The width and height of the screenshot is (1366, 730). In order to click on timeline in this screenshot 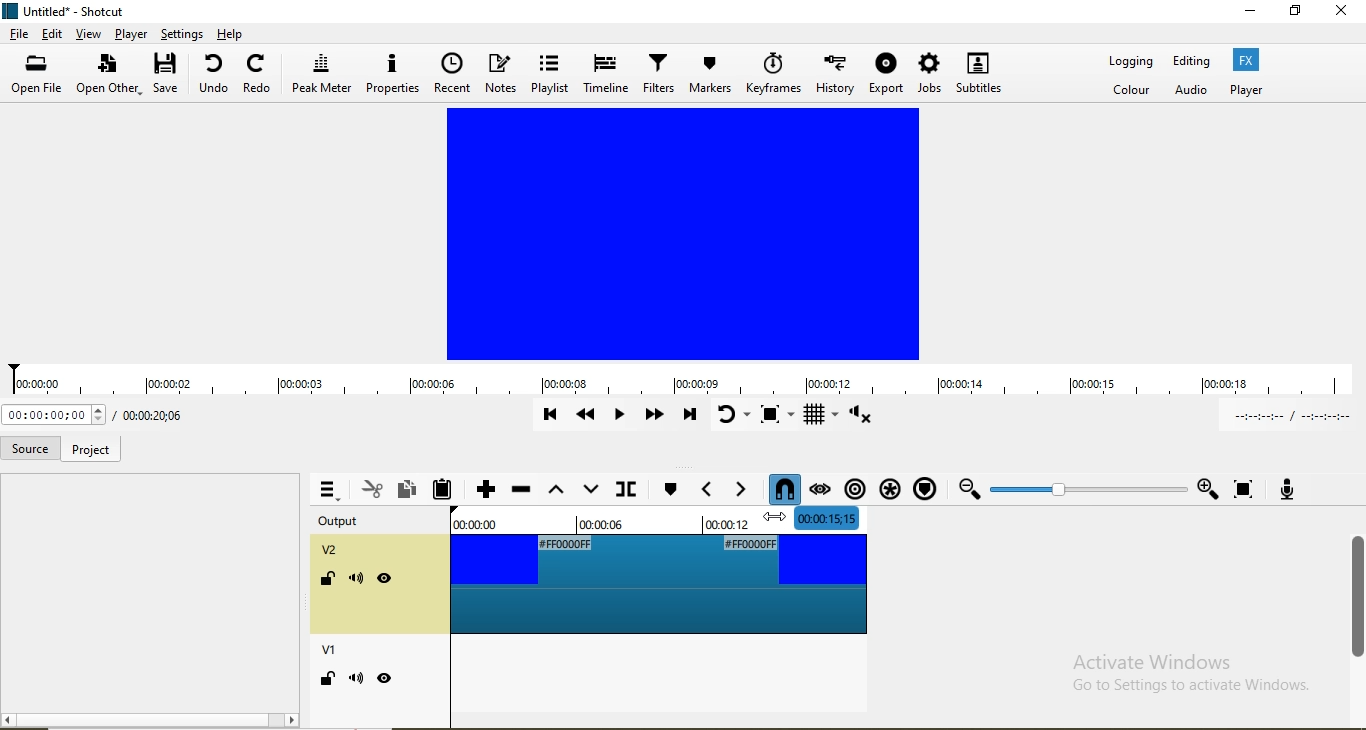, I will do `click(683, 381)`.